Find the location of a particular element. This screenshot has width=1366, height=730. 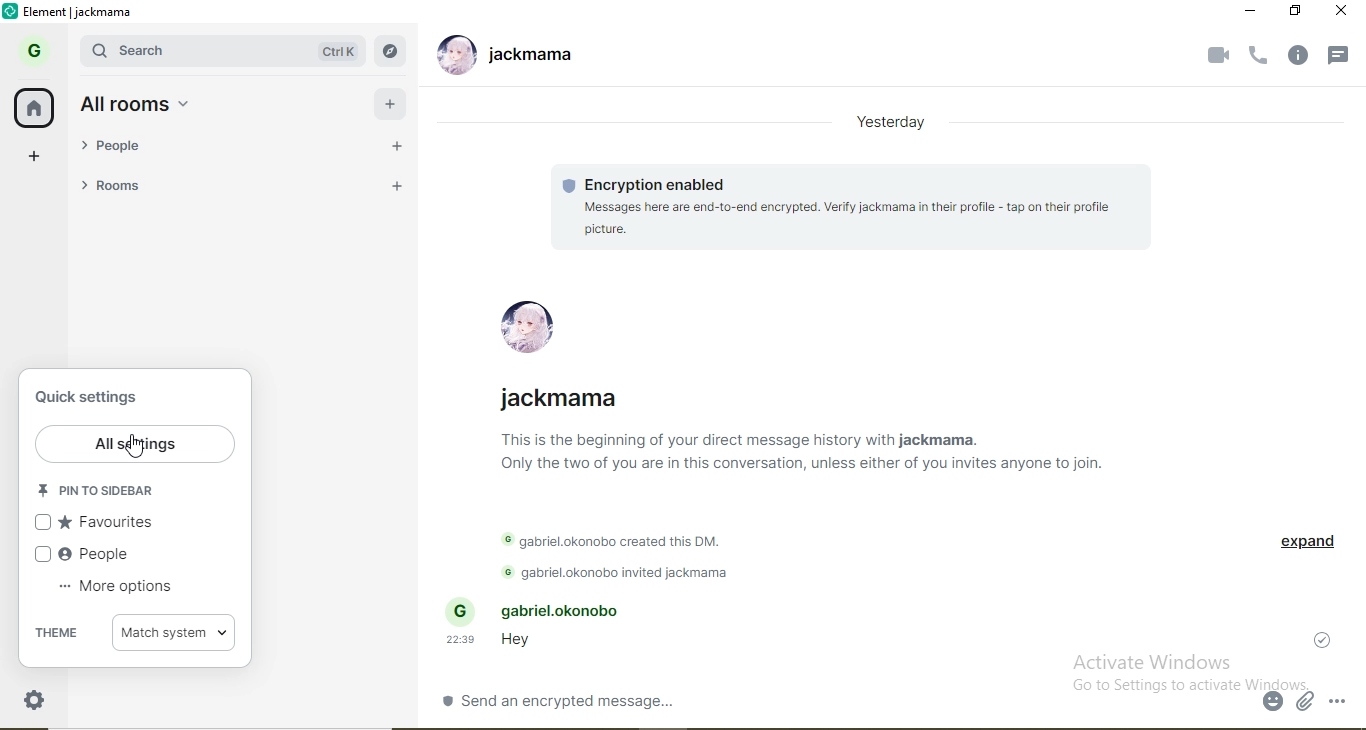

minimise is located at coordinates (1251, 12).